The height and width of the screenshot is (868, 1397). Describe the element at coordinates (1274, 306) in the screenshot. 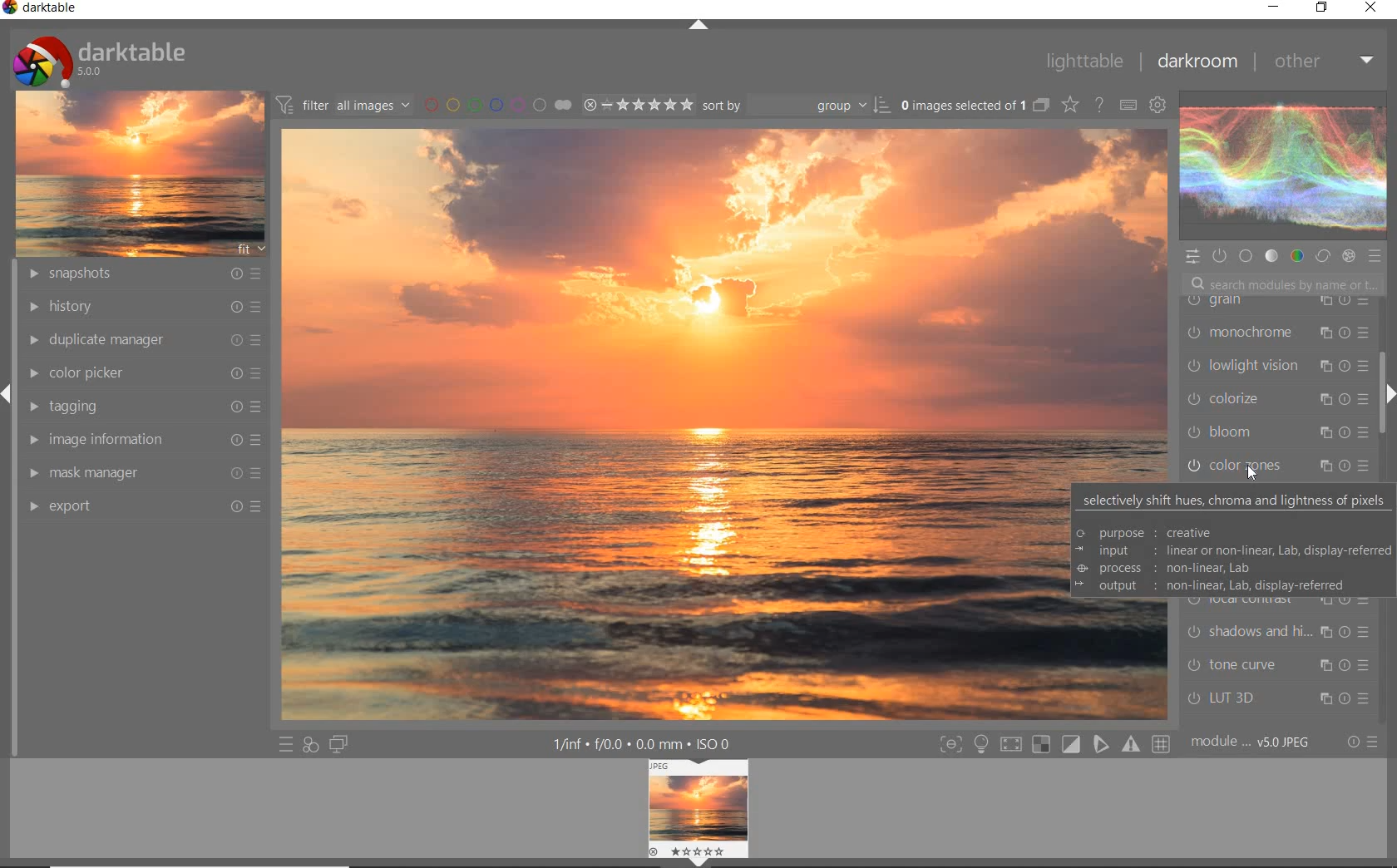

I see `grain` at that location.